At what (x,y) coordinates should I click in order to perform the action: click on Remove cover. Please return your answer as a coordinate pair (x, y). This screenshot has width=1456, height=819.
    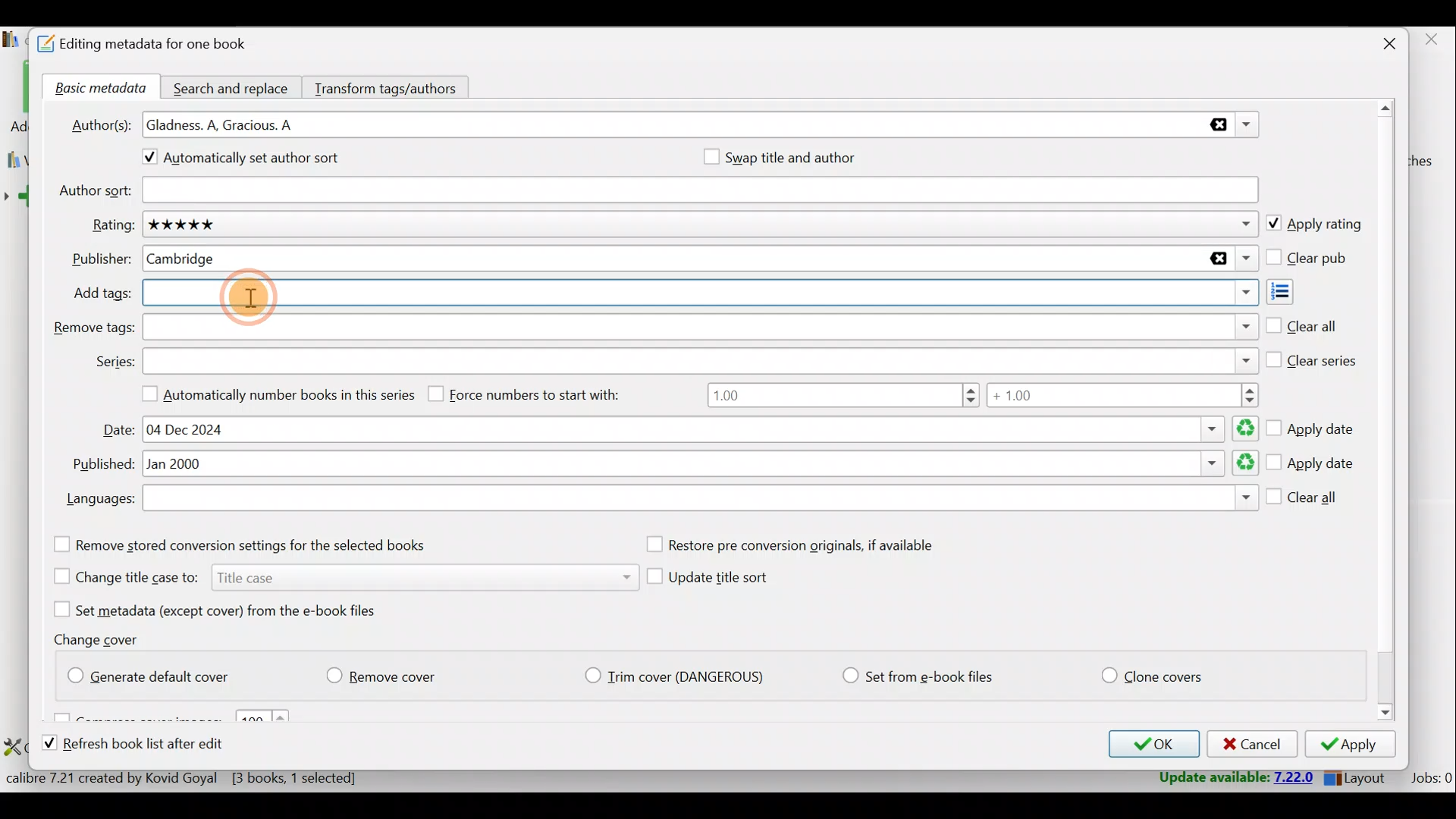
    Looking at the image, I should click on (391, 673).